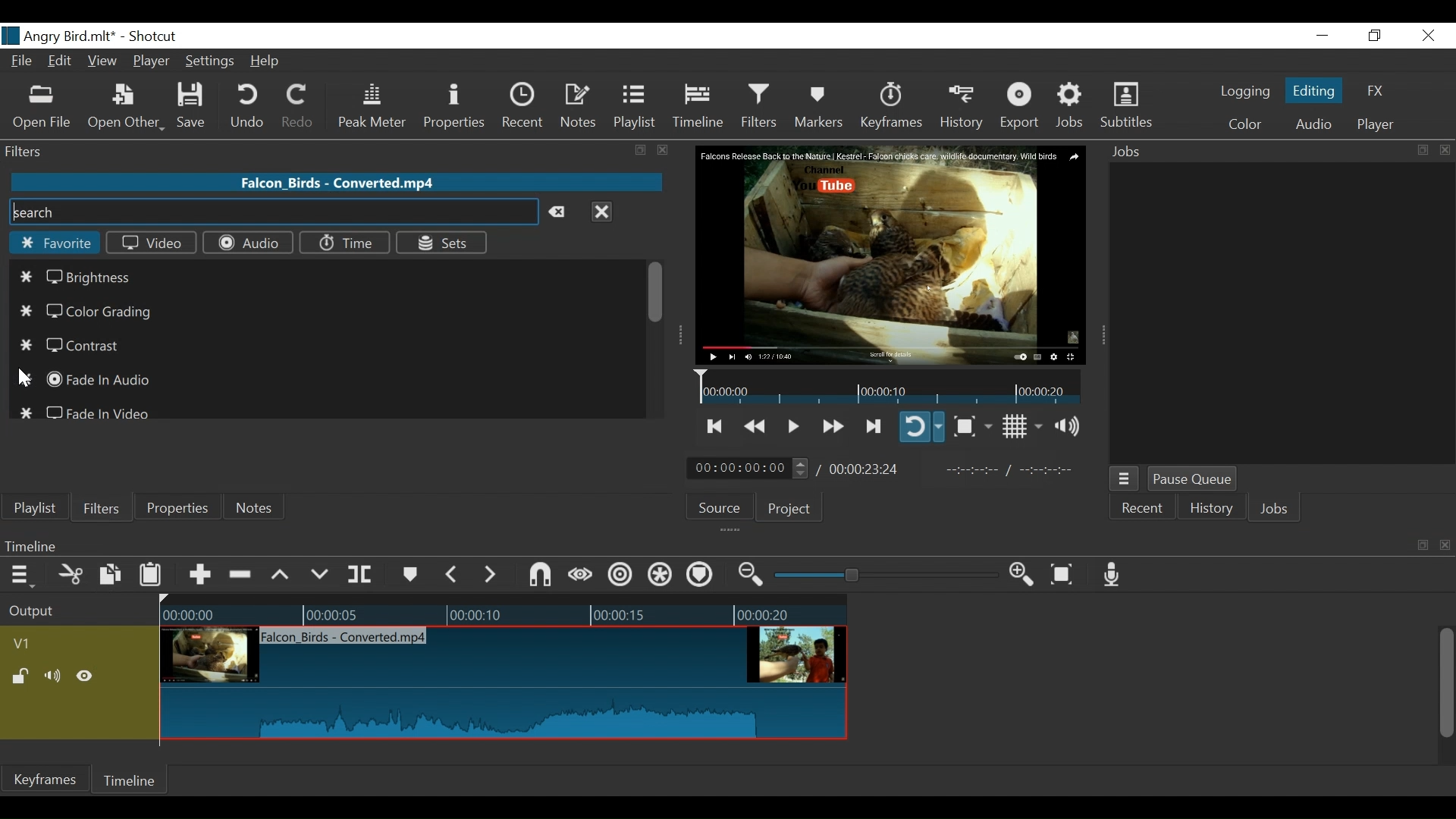  I want to click on Editing, so click(1316, 89).